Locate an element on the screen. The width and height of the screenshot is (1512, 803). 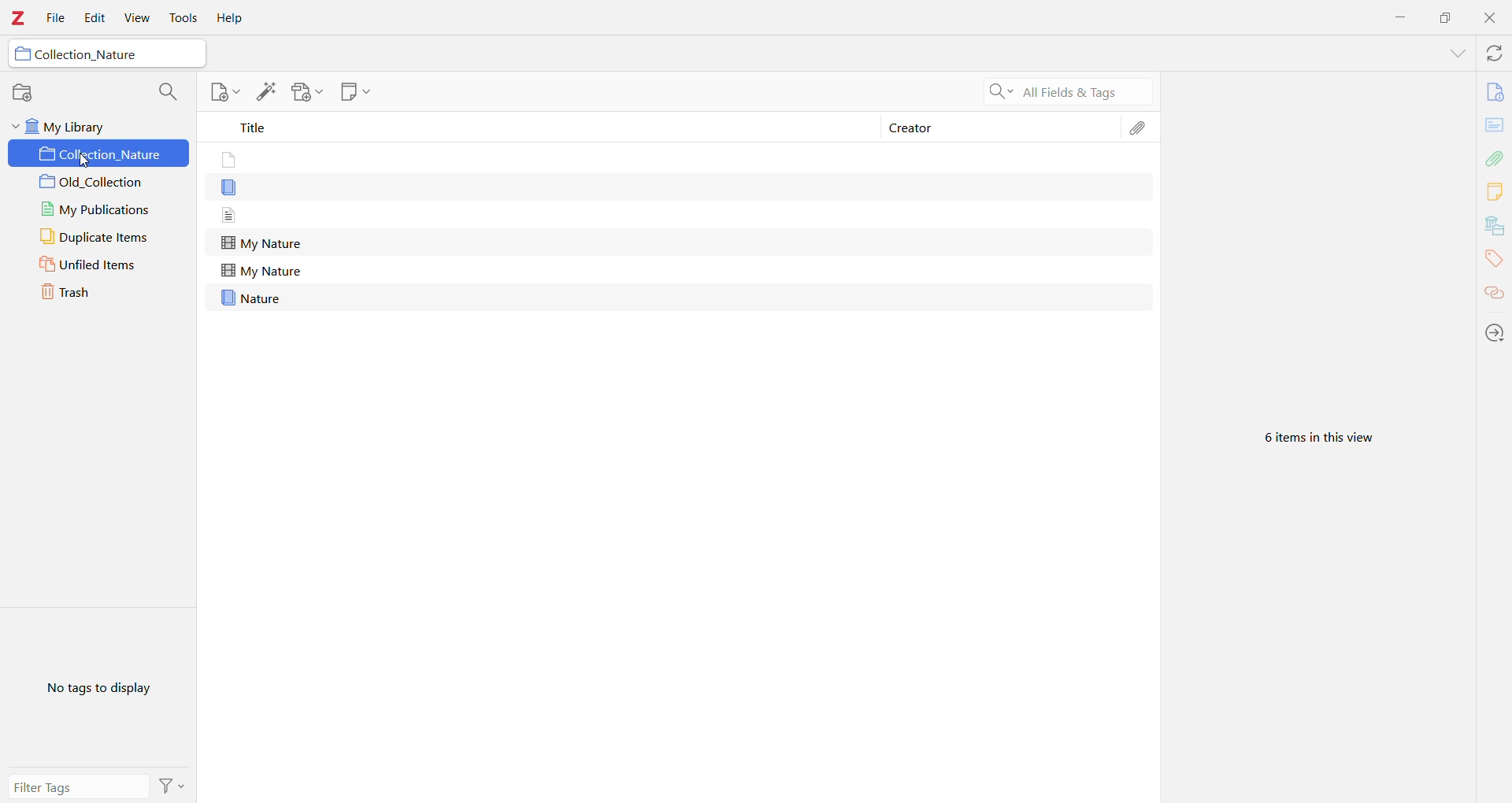
My Library is located at coordinates (98, 124).